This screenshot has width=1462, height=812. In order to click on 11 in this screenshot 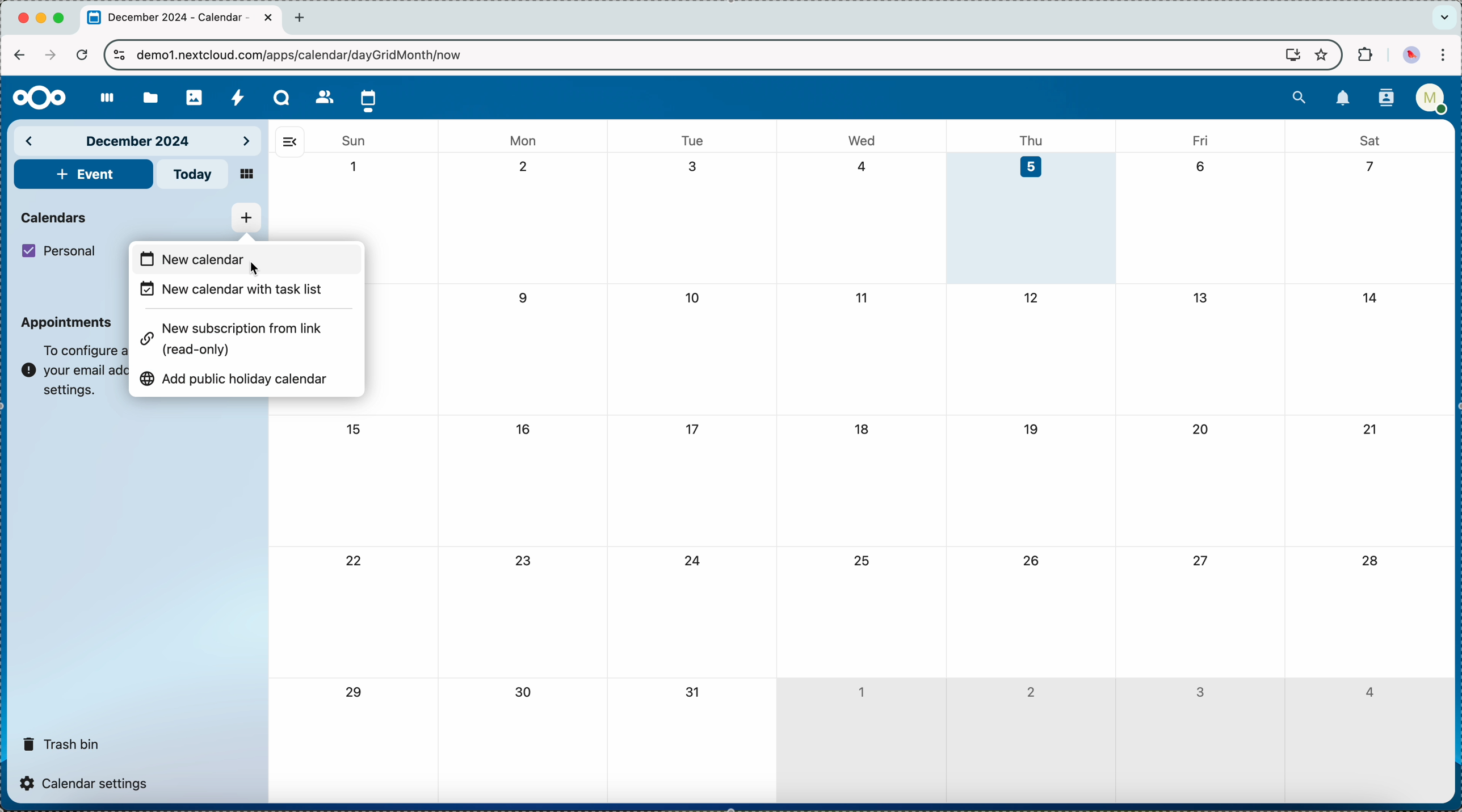, I will do `click(860, 297)`.